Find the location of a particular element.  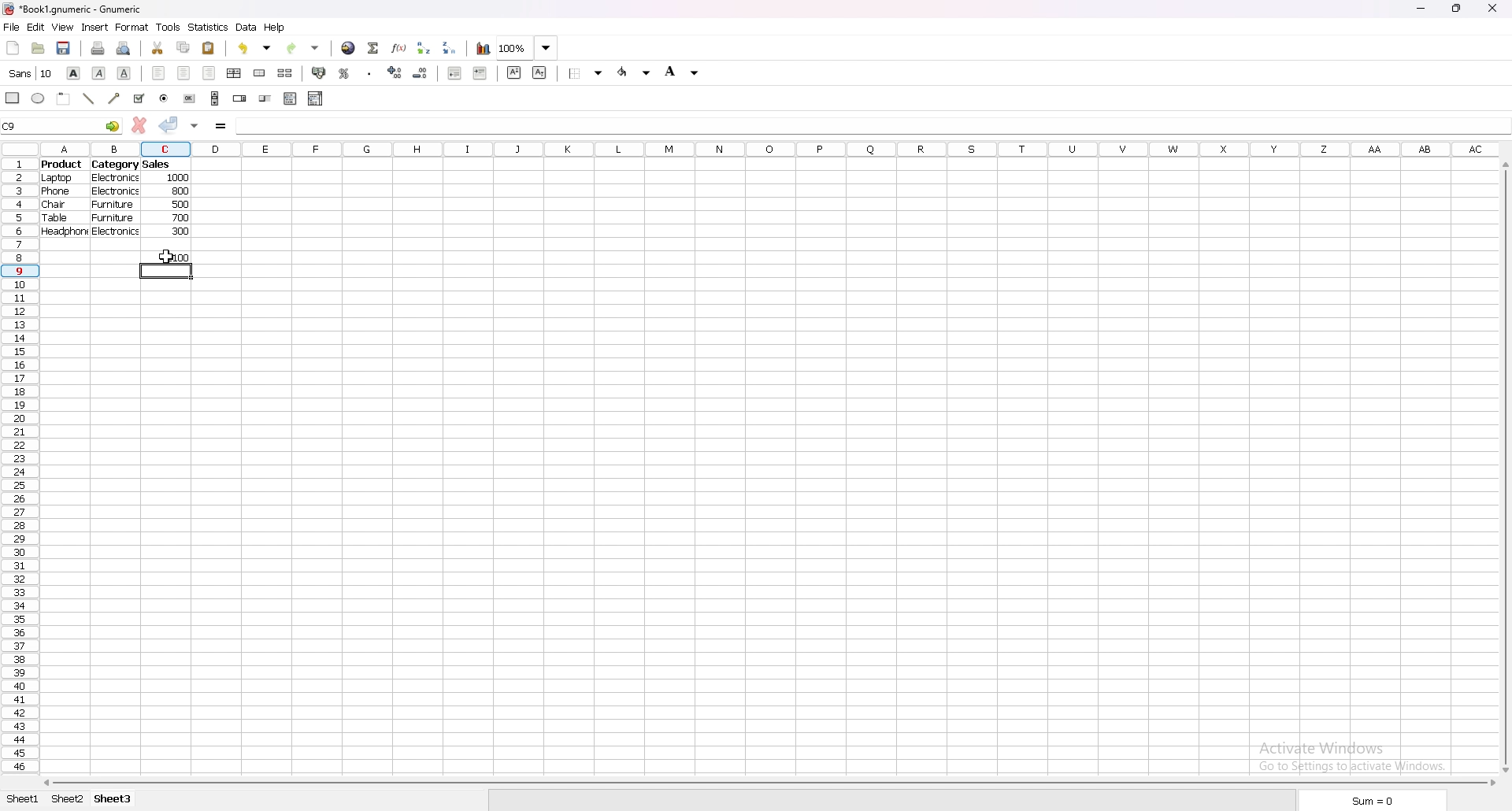

format is located at coordinates (132, 27).